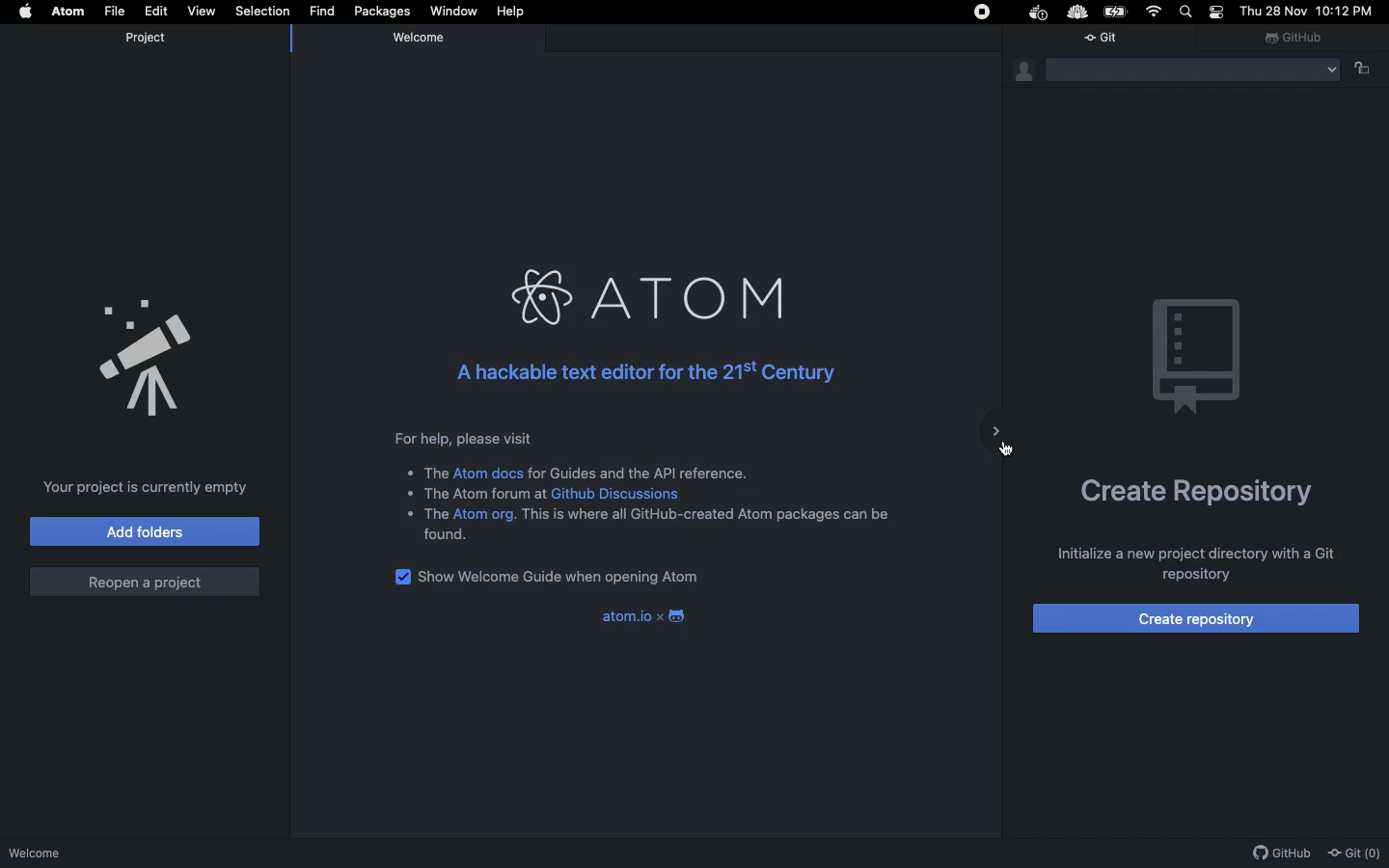 This screenshot has height=868, width=1389. Describe the element at coordinates (1006, 452) in the screenshot. I see `cursor` at that location.